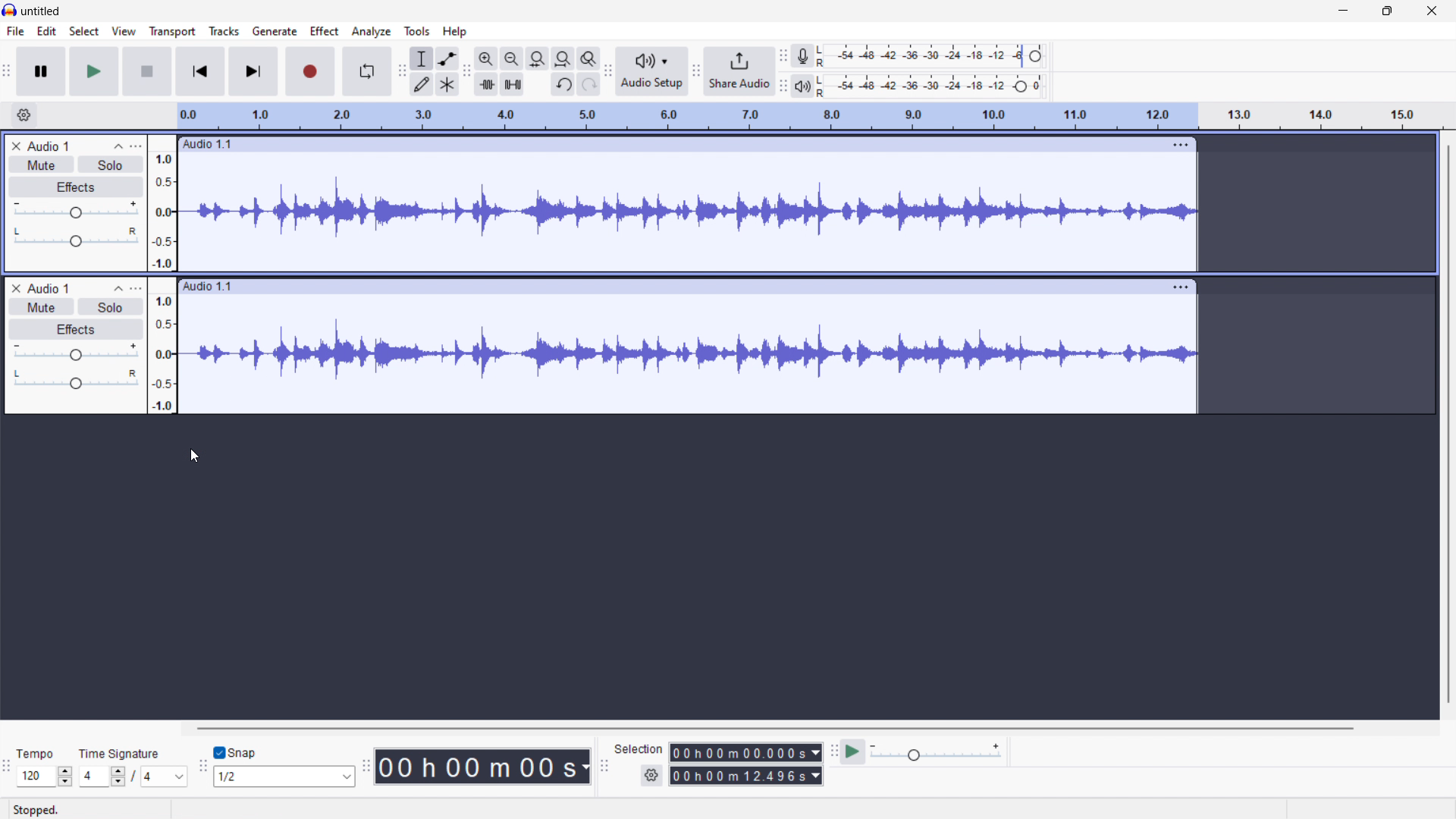 The image size is (1456, 819). I want to click on snapping toolbar, so click(202, 769).